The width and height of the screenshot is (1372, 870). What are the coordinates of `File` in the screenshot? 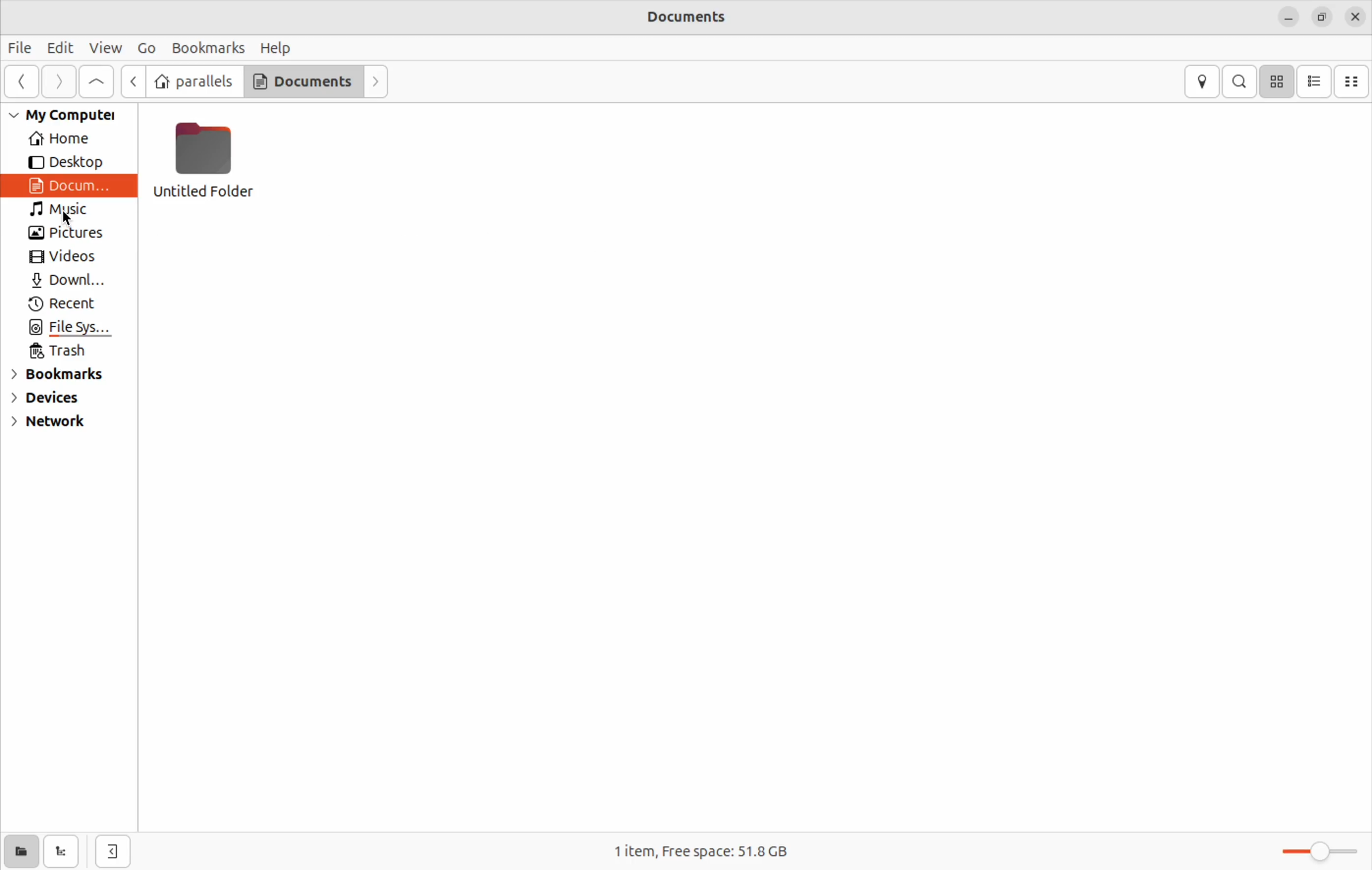 It's located at (19, 50).